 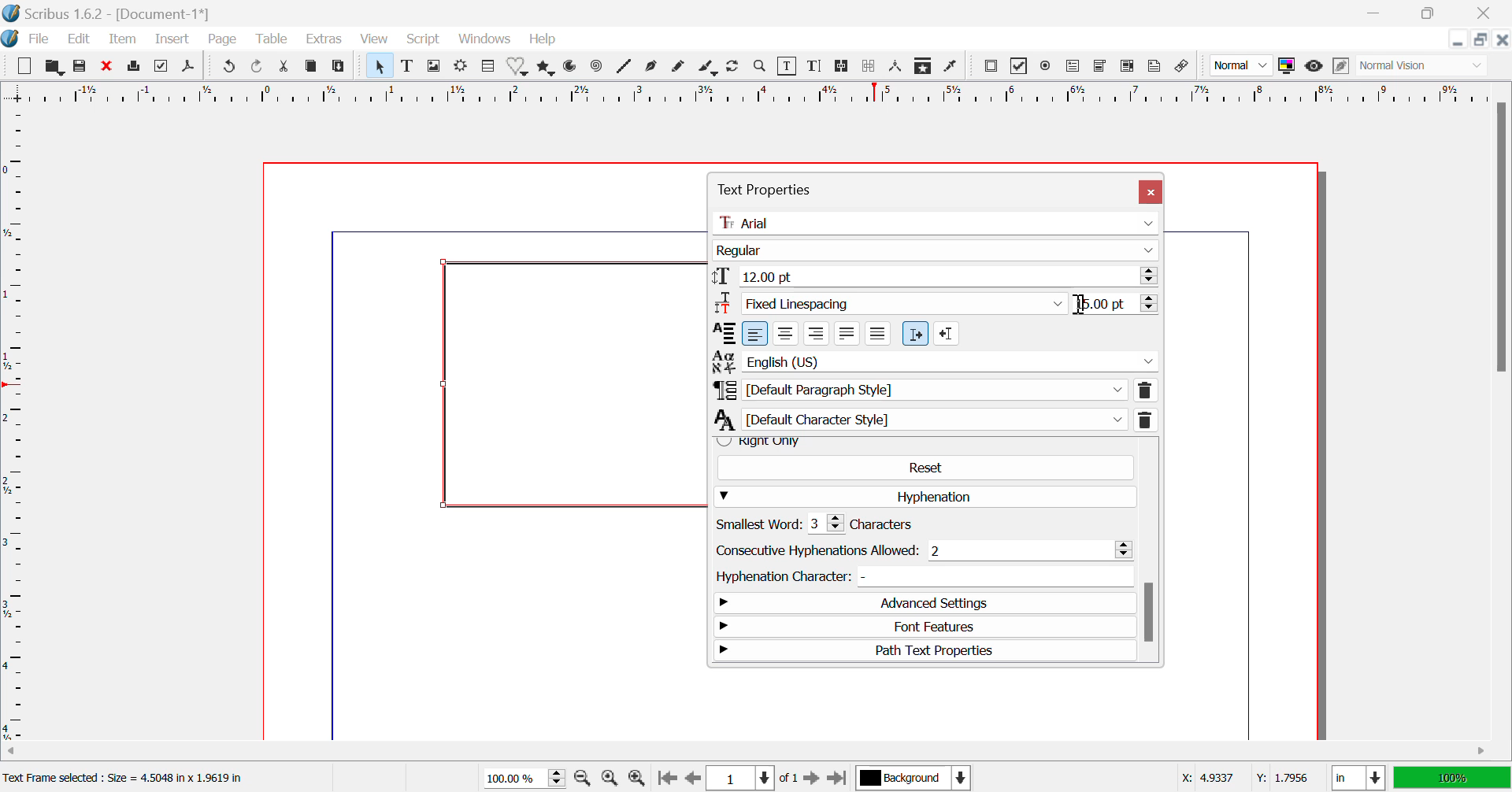 I want to click on Right Only, so click(x=921, y=442).